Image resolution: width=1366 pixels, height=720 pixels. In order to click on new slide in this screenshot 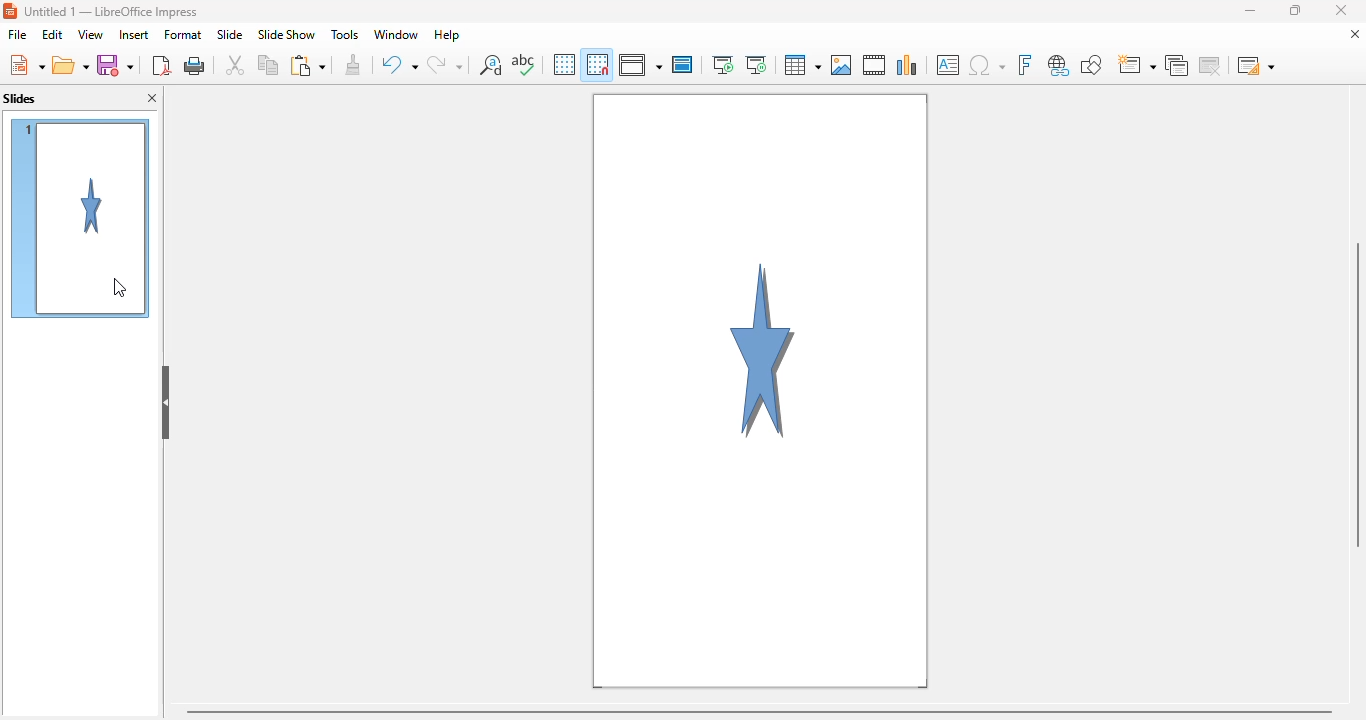, I will do `click(1137, 64)`.